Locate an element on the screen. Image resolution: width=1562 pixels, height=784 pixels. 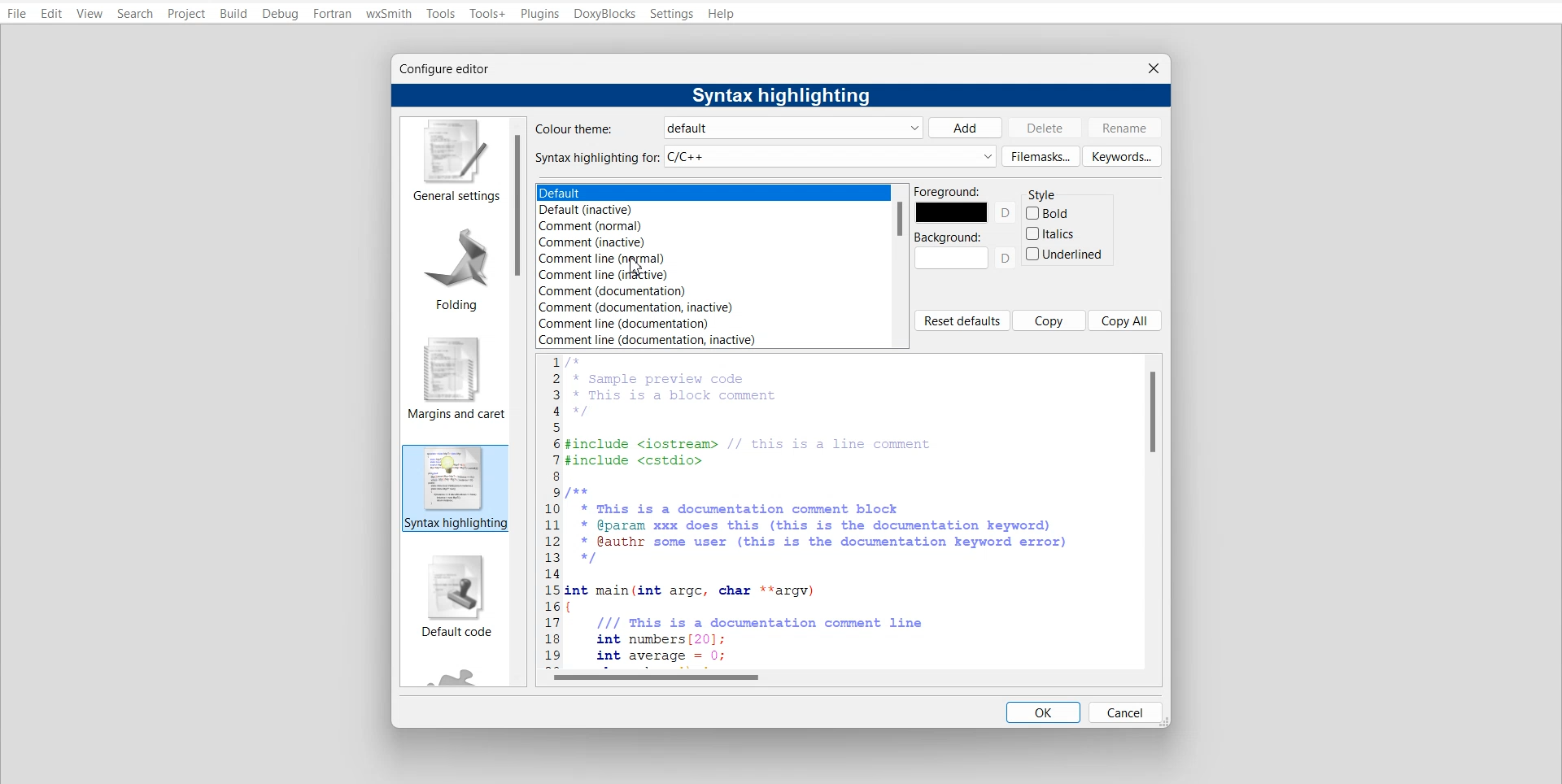
Reset default is located at coordinates (962, 320).